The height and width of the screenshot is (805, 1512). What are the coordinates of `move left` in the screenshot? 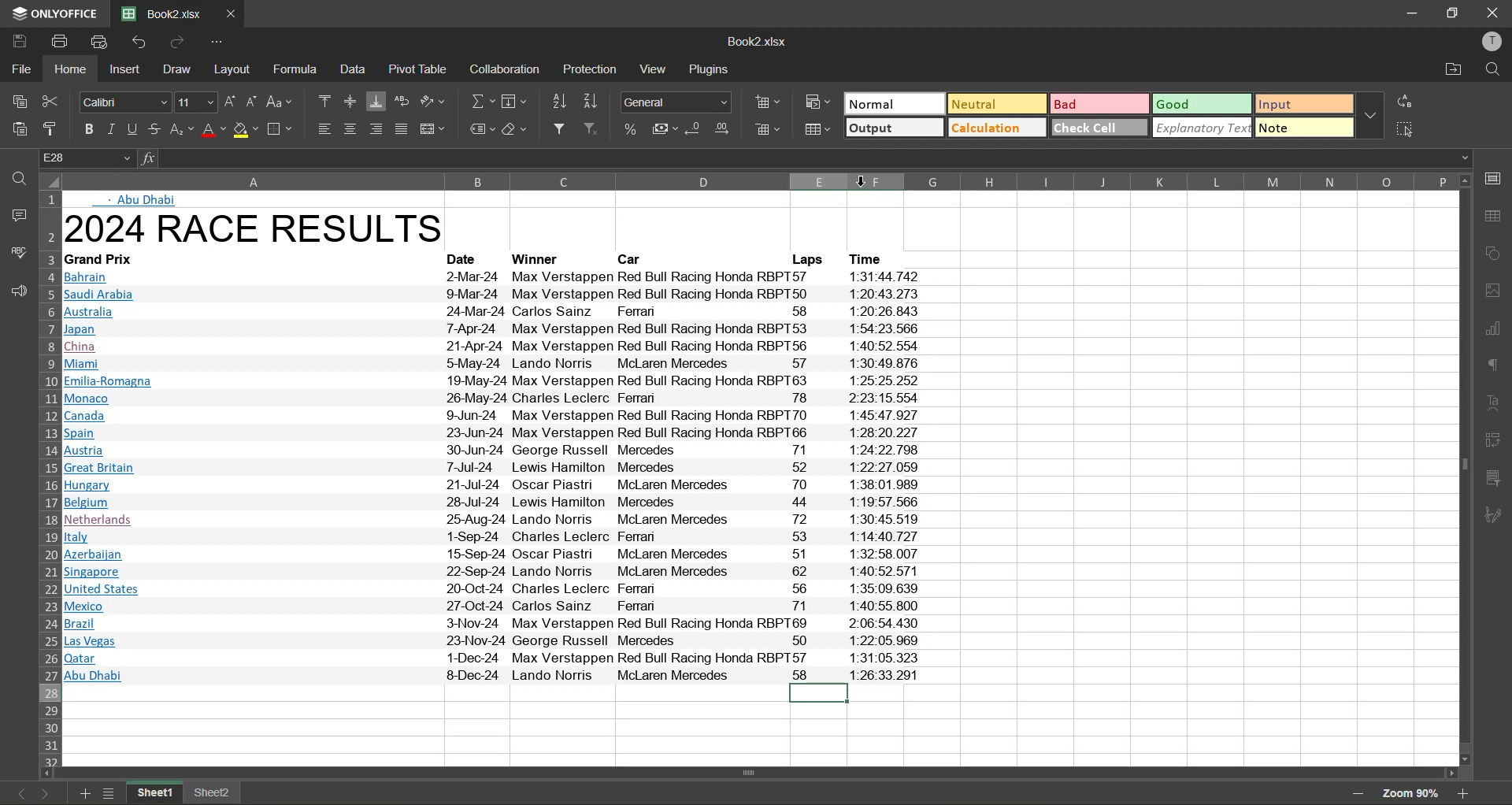 It's located at (46, 770).